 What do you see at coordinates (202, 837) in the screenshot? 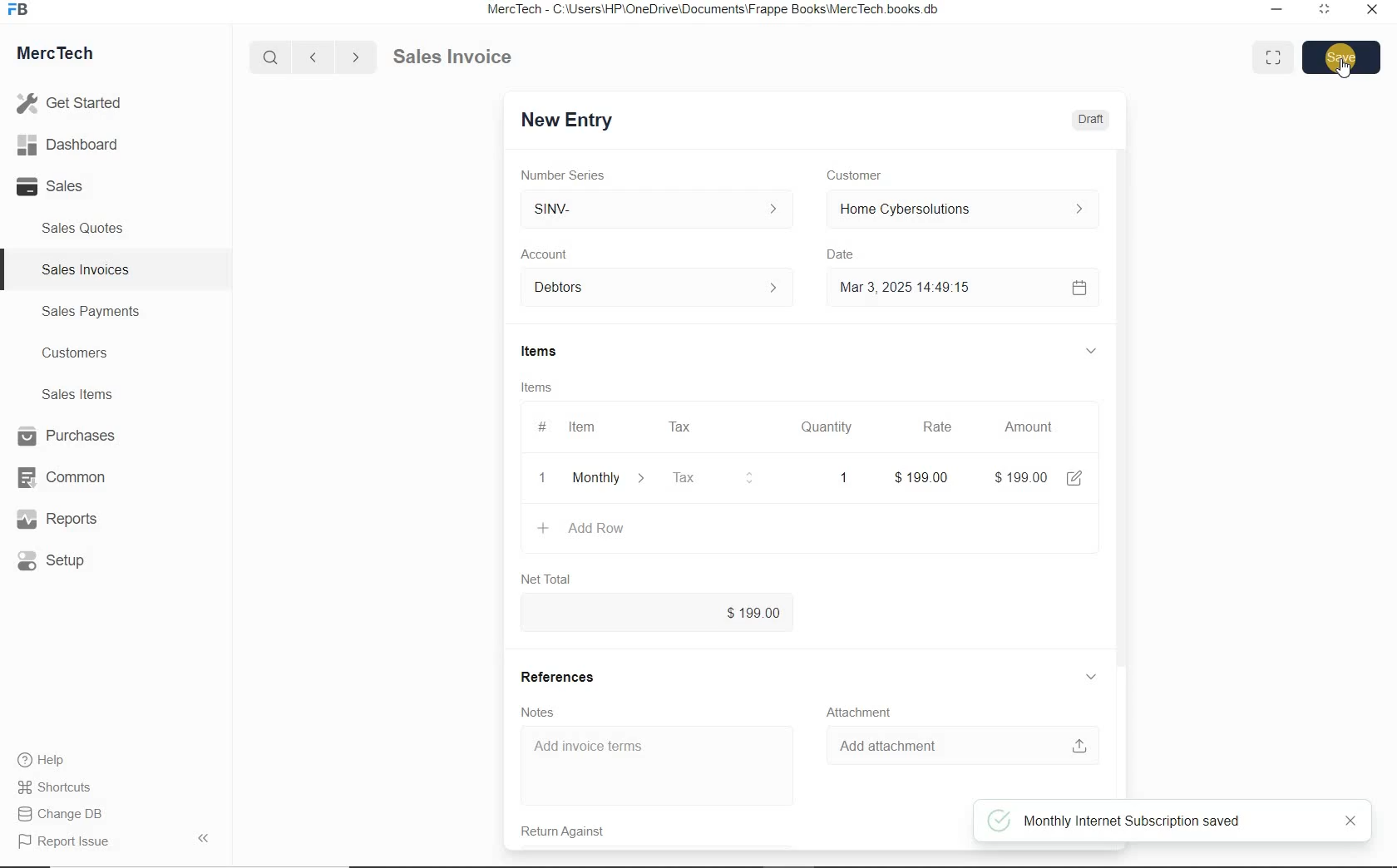
I see `Hide Sidebar` at bounding box center [202, 837].